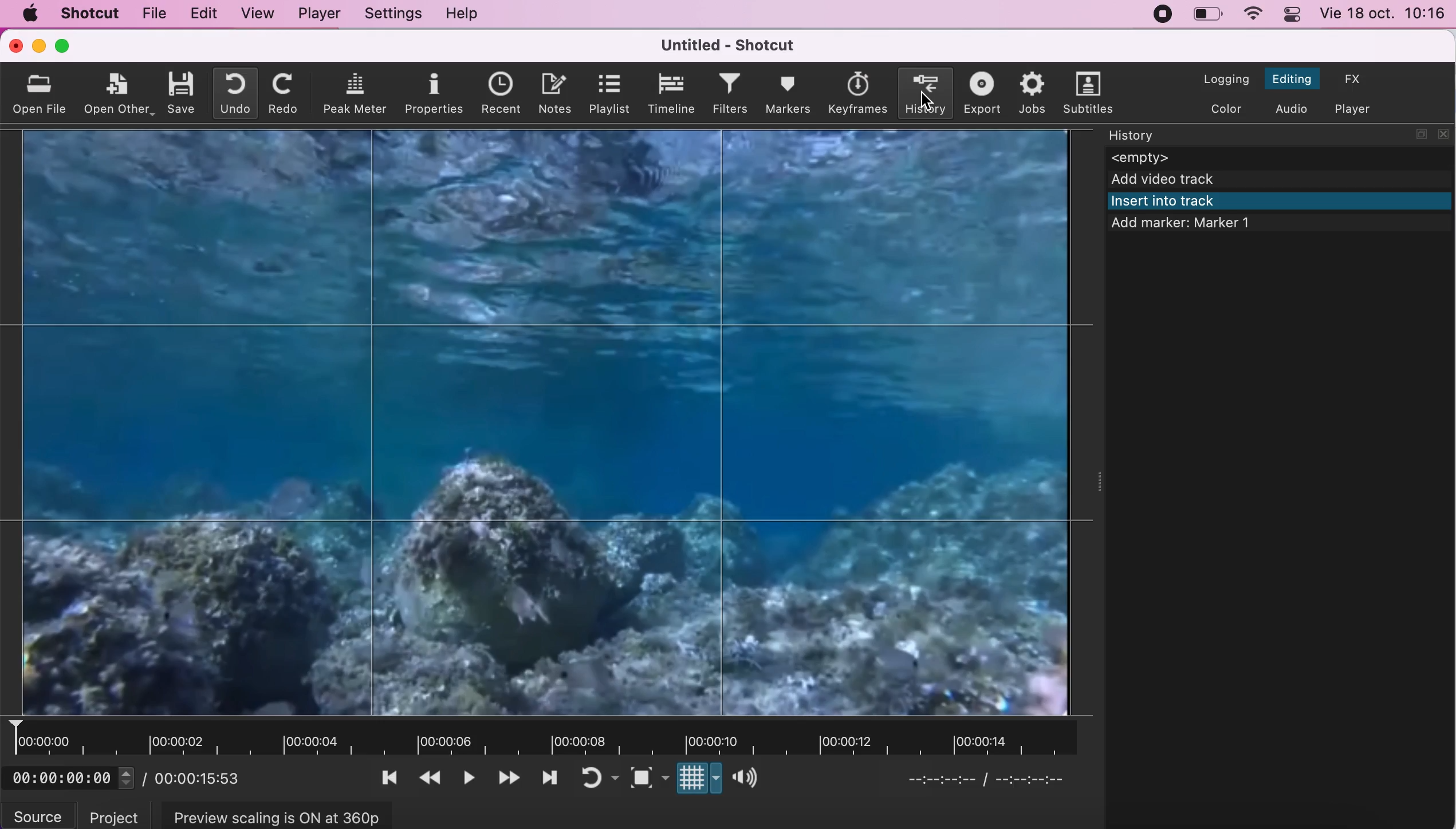  I want to click on skip to the previous point, so click(393, 775).